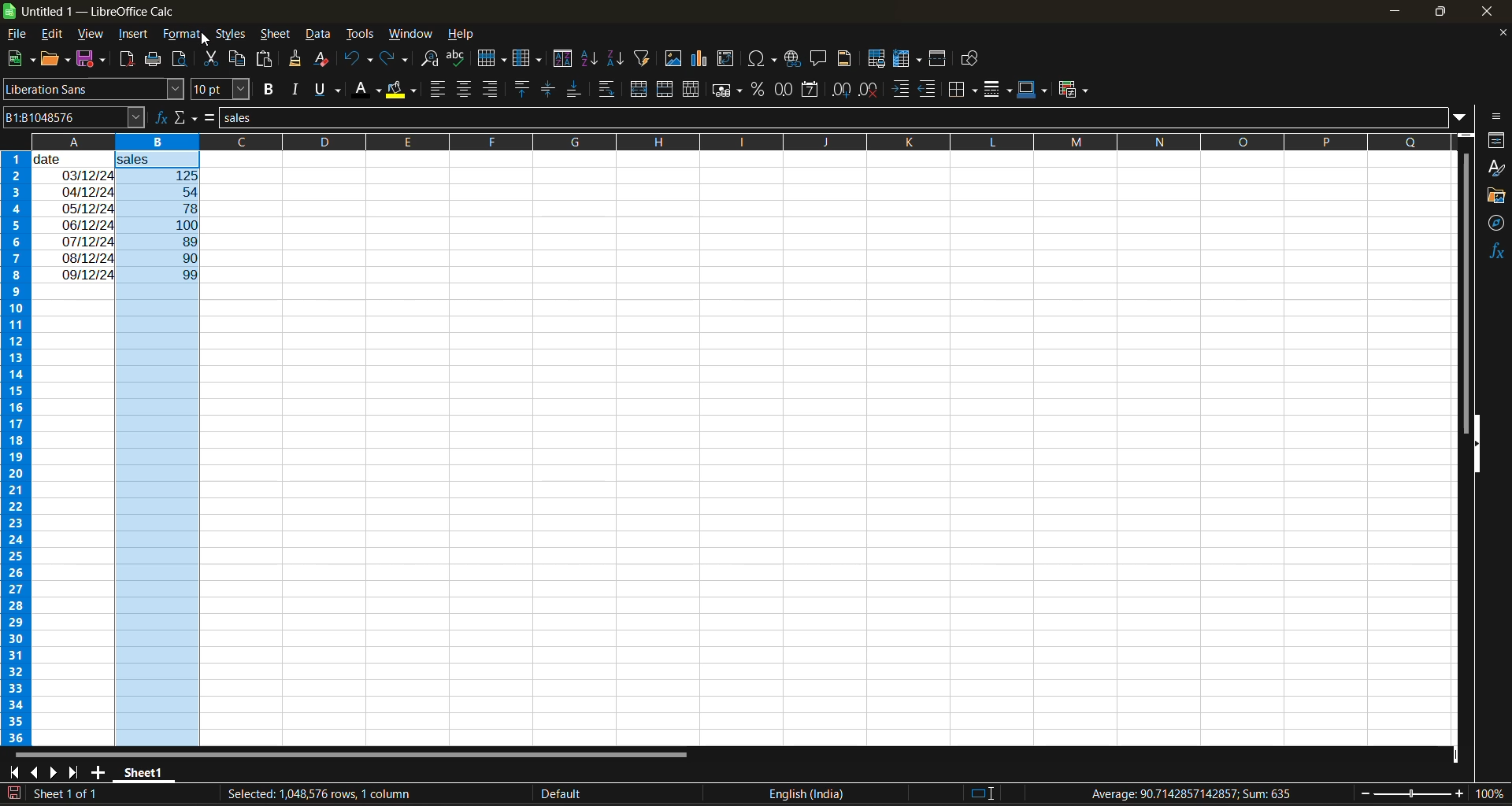  I want to click on format as date, so click(808, 91).